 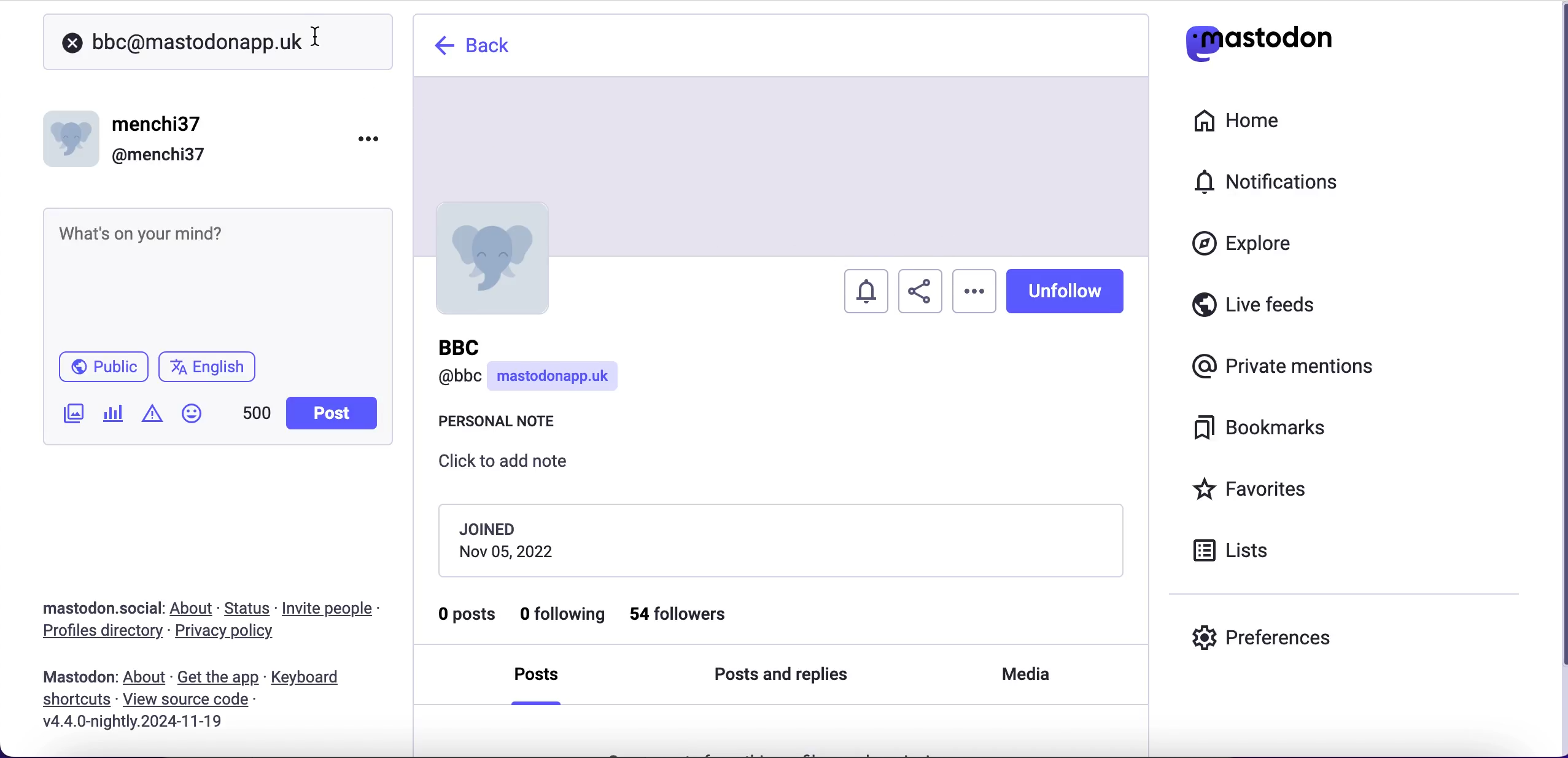 I want to click on share, so click(x=920, y=292).